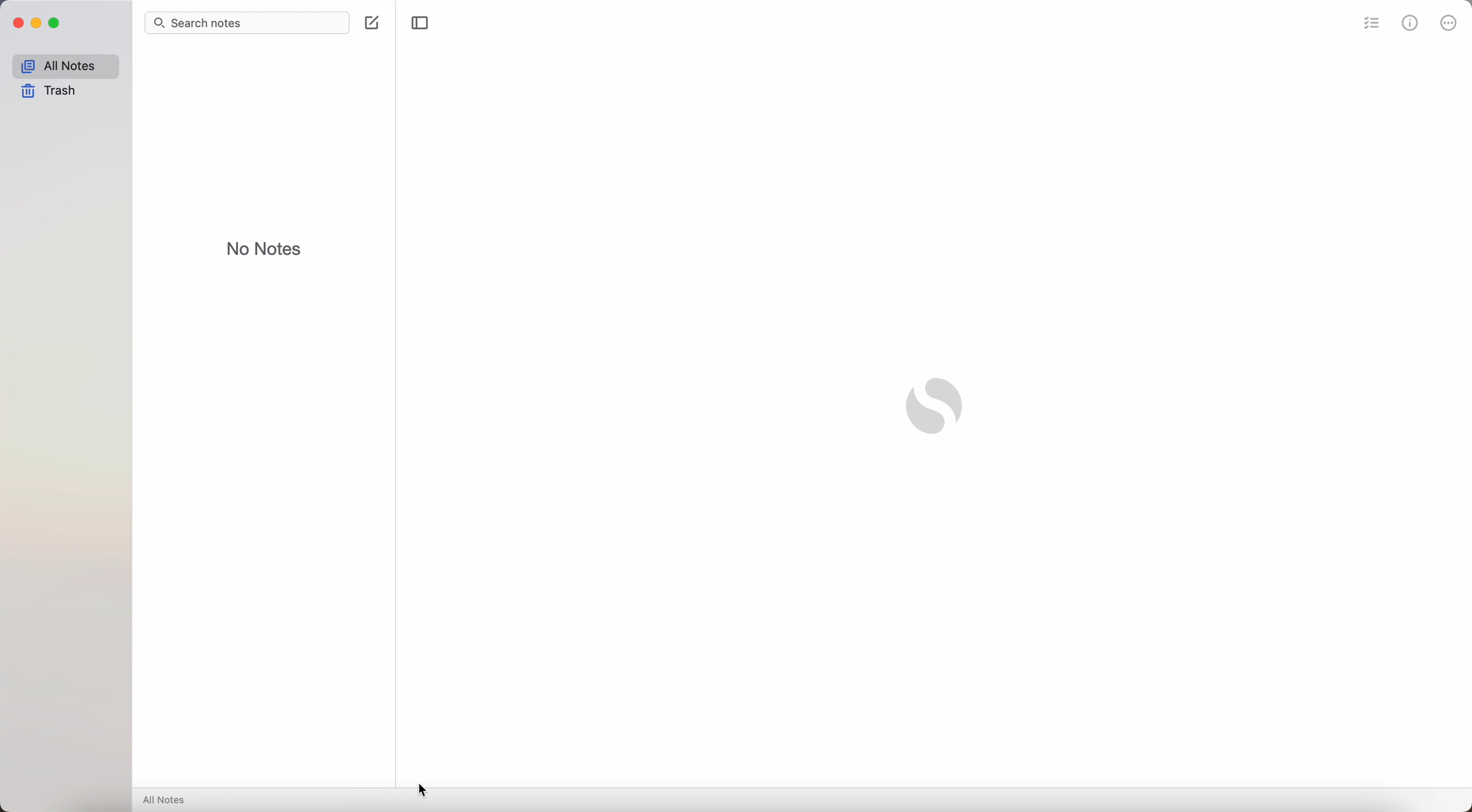 The height and width of the screenshot is (812, 1472). I want to click on all notes, so click(66, 65).